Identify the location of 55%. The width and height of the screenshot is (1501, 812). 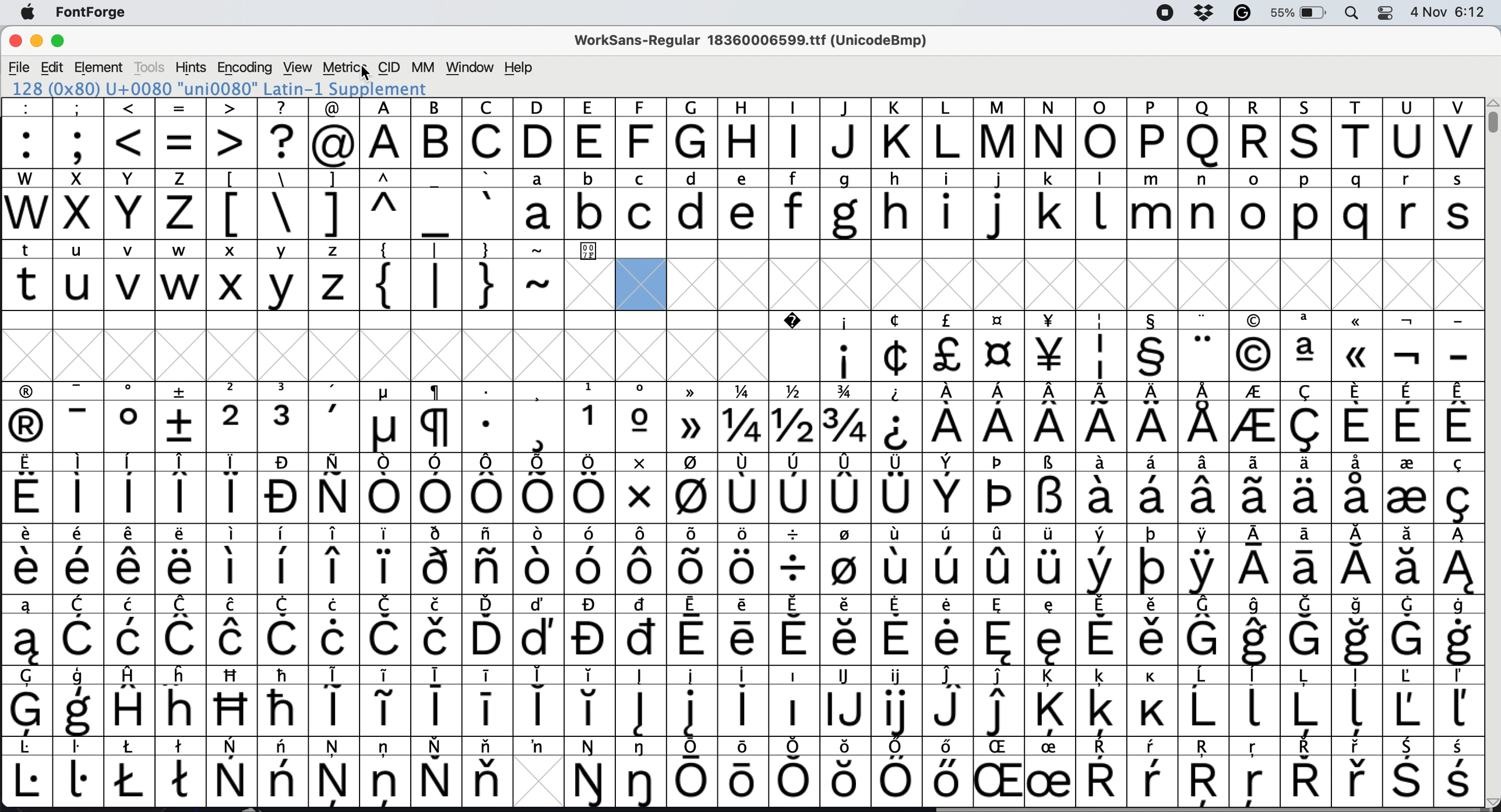
(1296, 13).